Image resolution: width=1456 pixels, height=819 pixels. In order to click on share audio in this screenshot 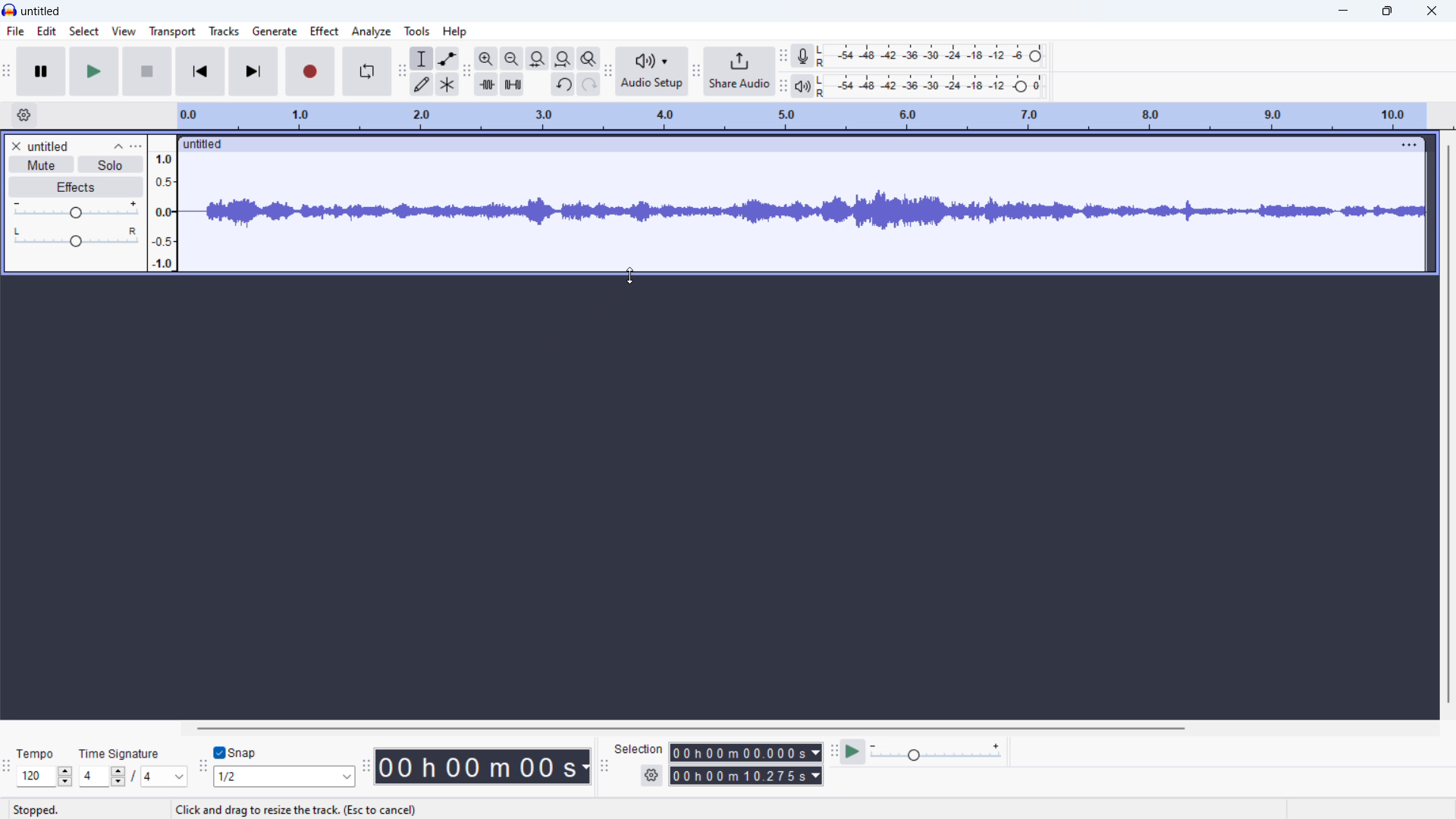, I will do `click(739, 71)`.